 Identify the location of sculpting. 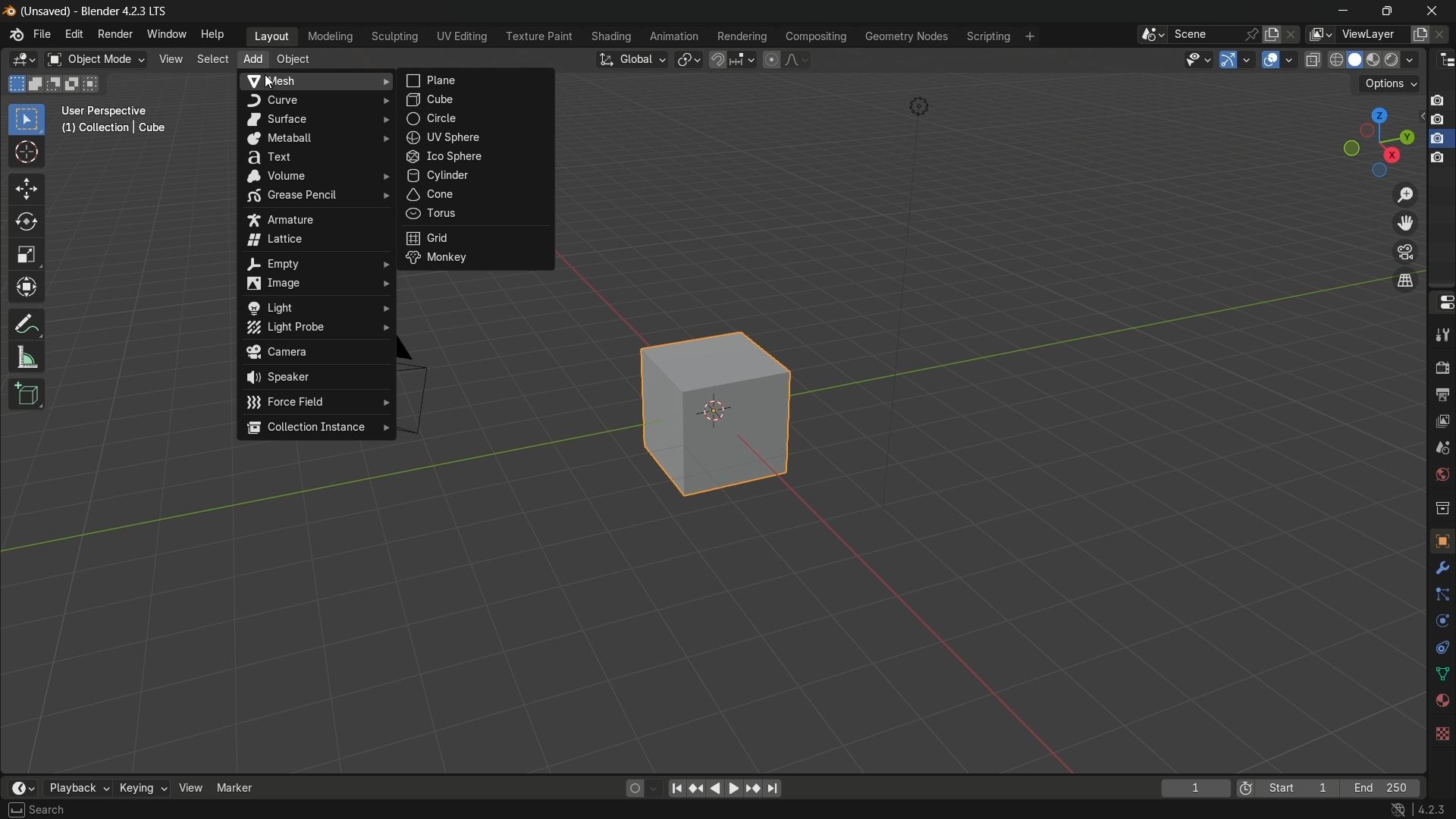
(396, 36).